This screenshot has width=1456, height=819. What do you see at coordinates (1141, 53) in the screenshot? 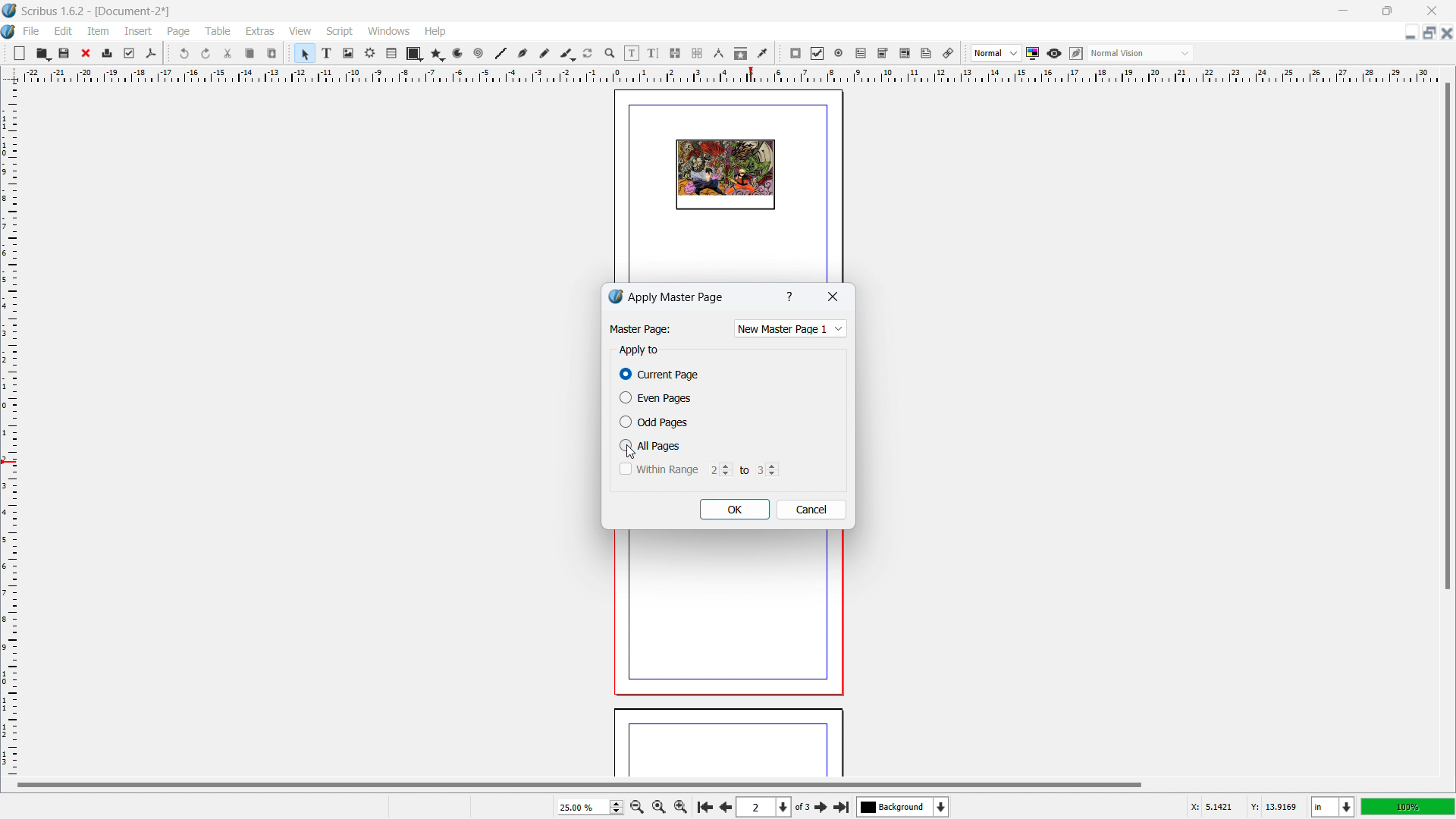
I see `select visual appearance of the display` at bounding box center [1141, 53].